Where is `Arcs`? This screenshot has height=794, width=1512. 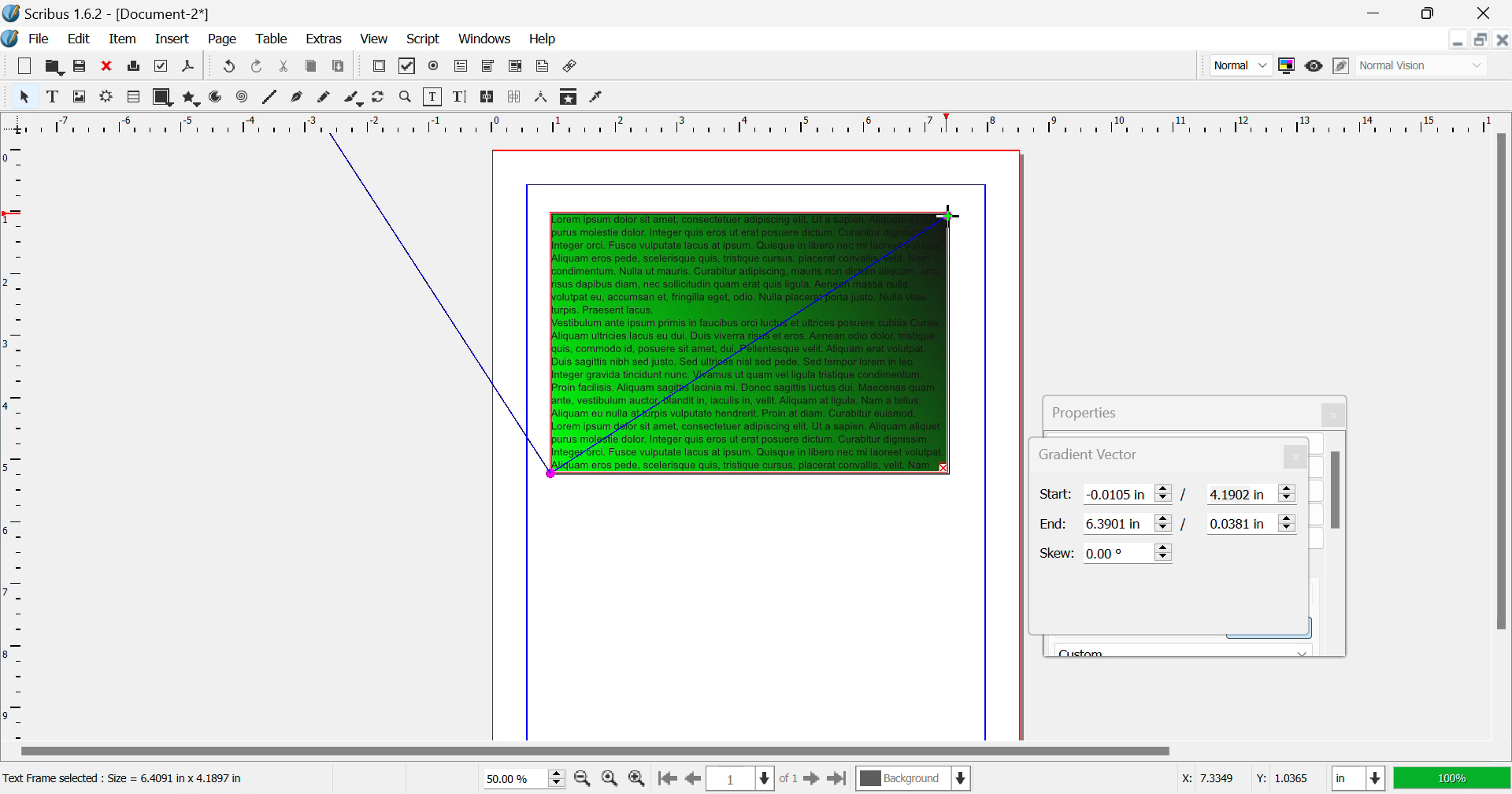 Arcs is located at coordinates (217, 98).